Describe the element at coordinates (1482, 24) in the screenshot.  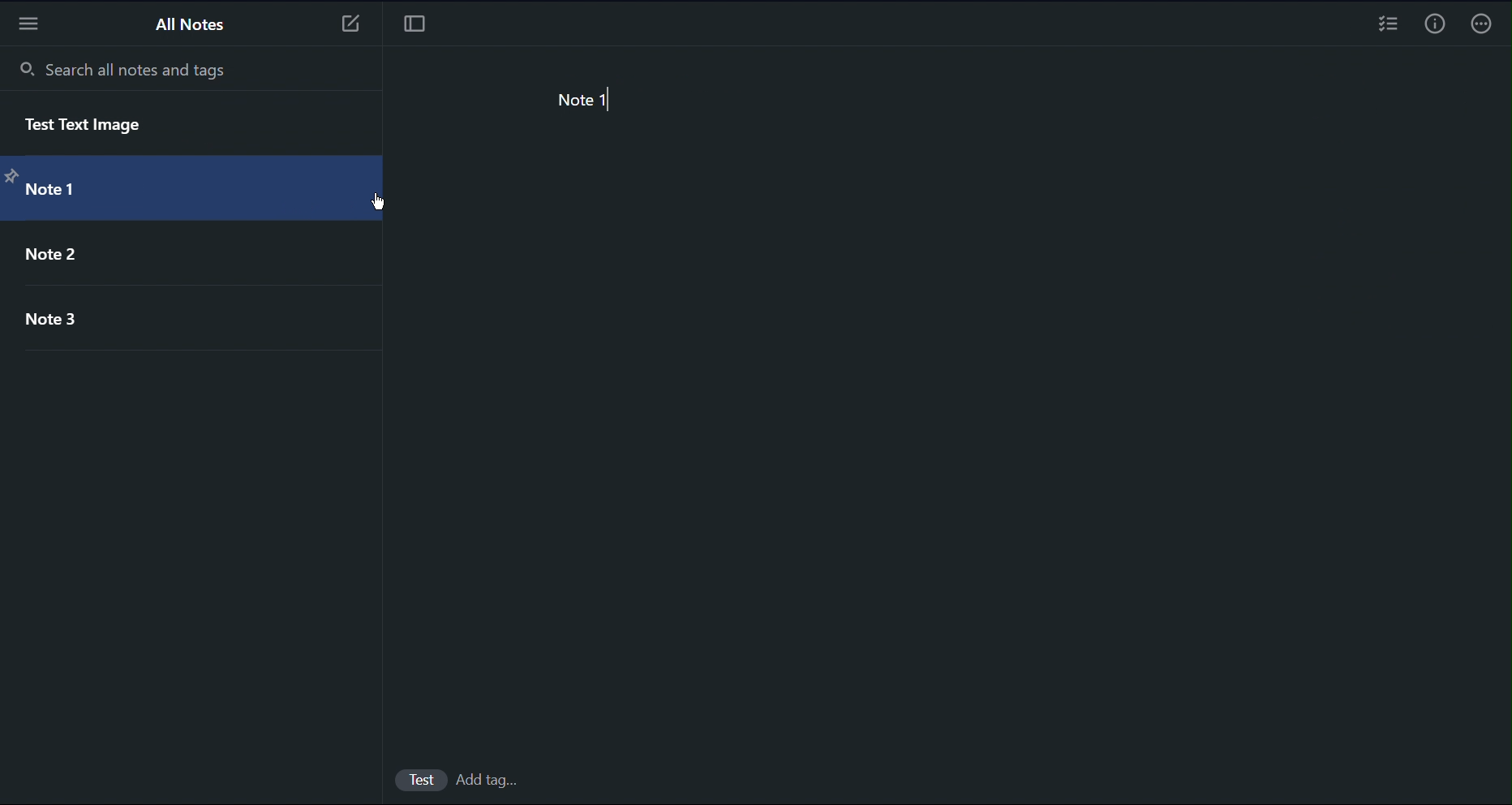
I see `More` at that location.